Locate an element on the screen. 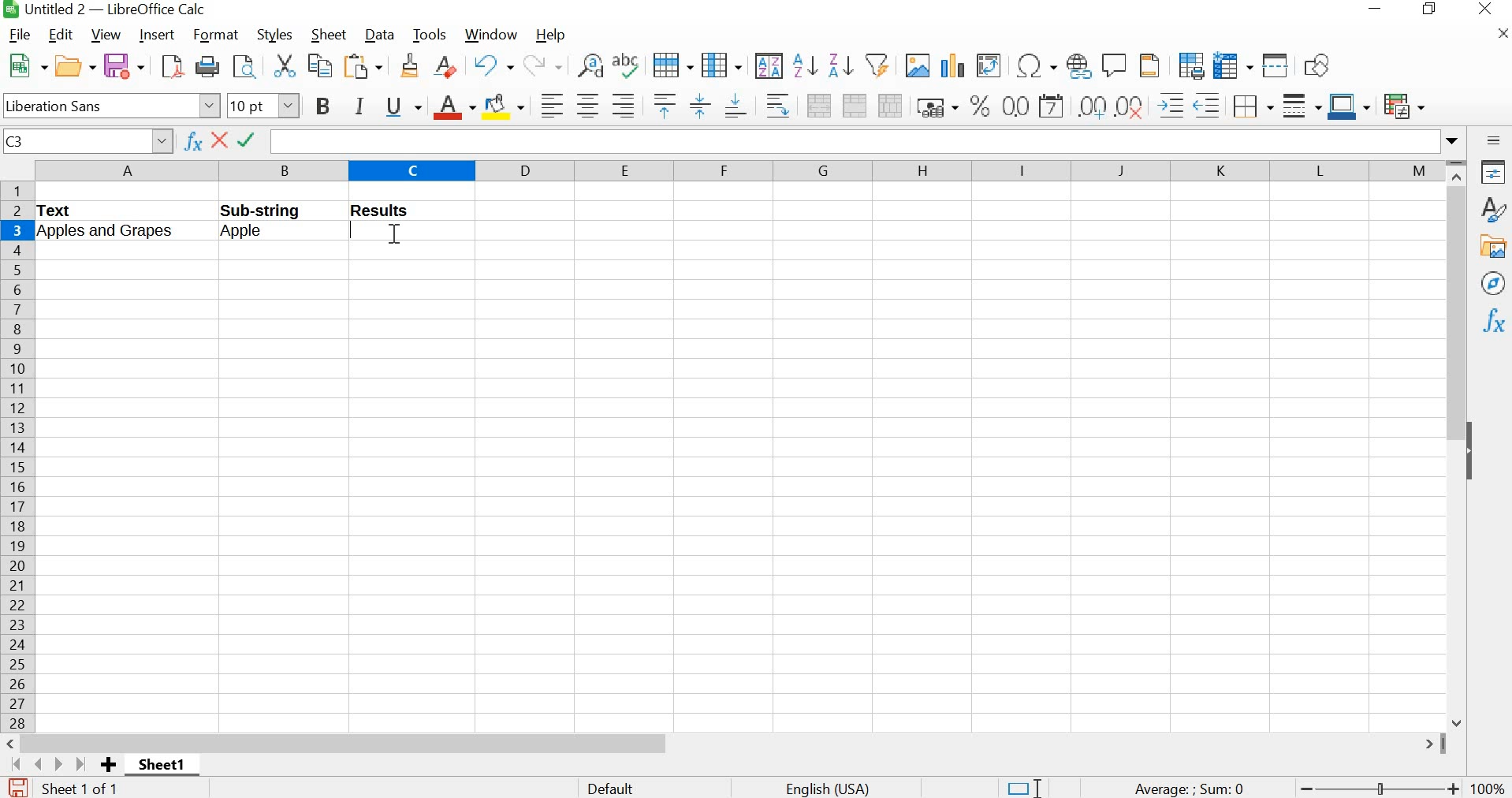 The image size is (1512, 798). align center is located at coordinates (586, 105).